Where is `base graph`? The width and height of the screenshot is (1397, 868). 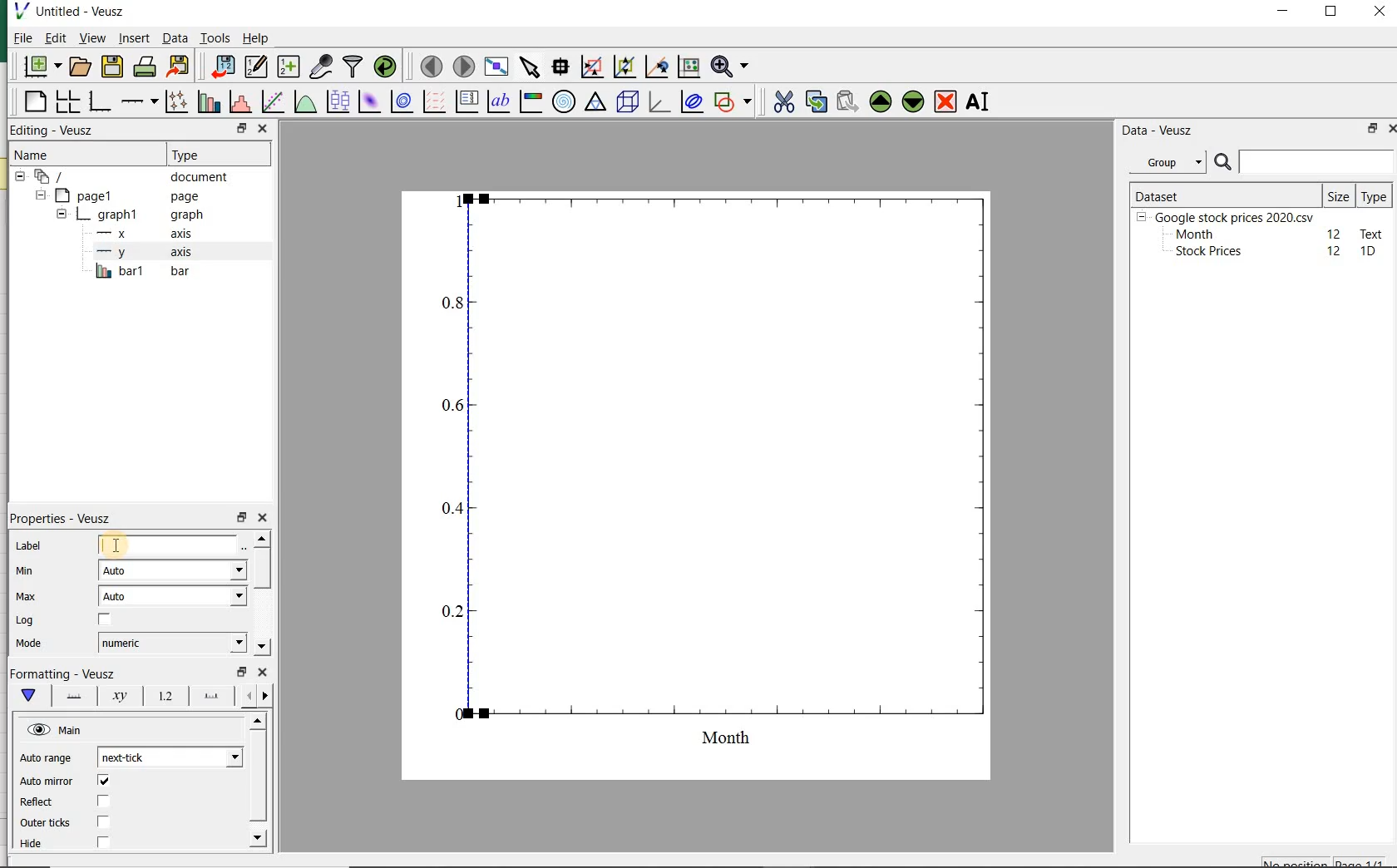
base graph is located at coordinates (99, 102).